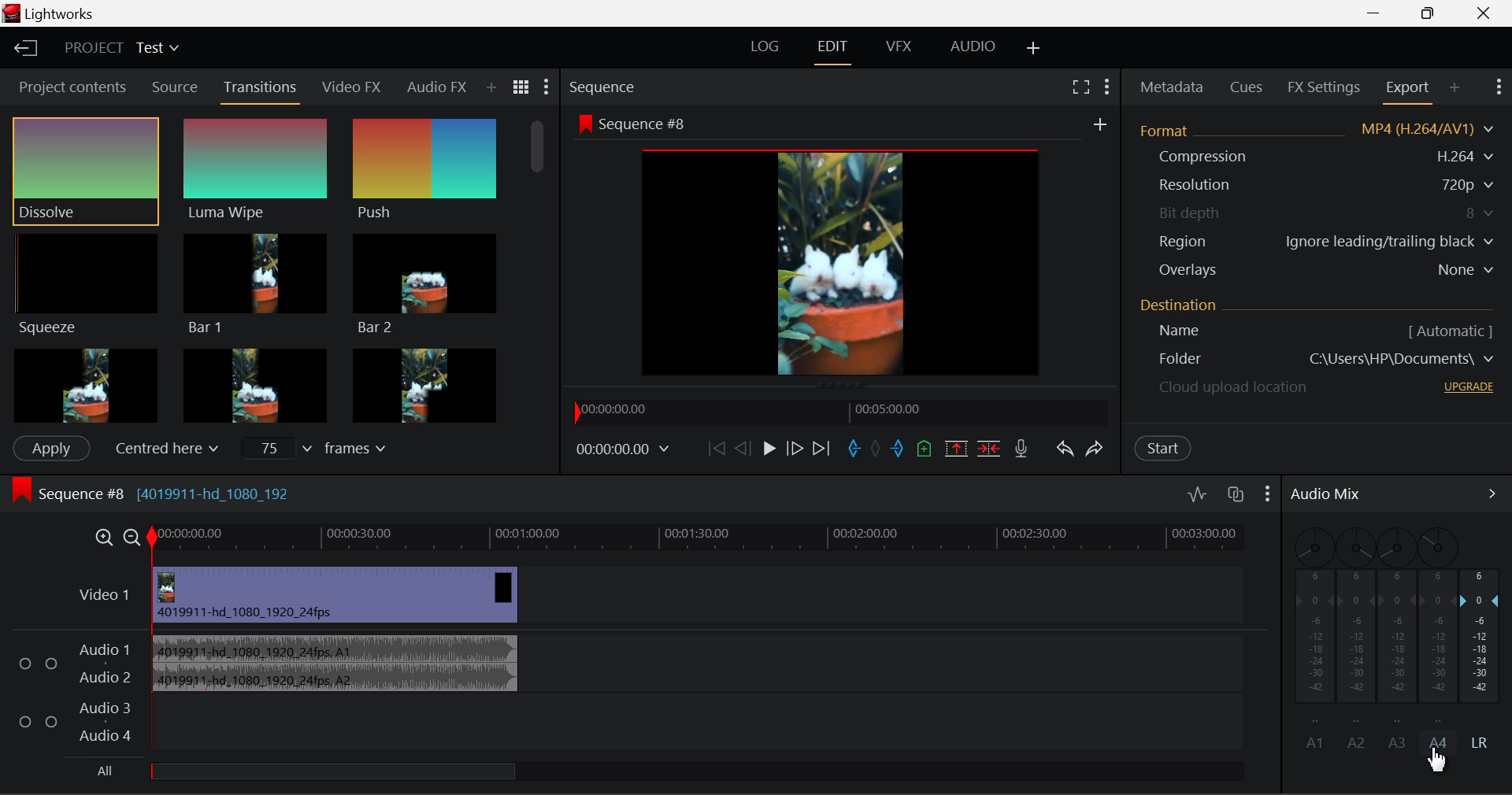  Describe the element at coordinates (85, 384) in the screenshot. I see `Box 1` at that location.